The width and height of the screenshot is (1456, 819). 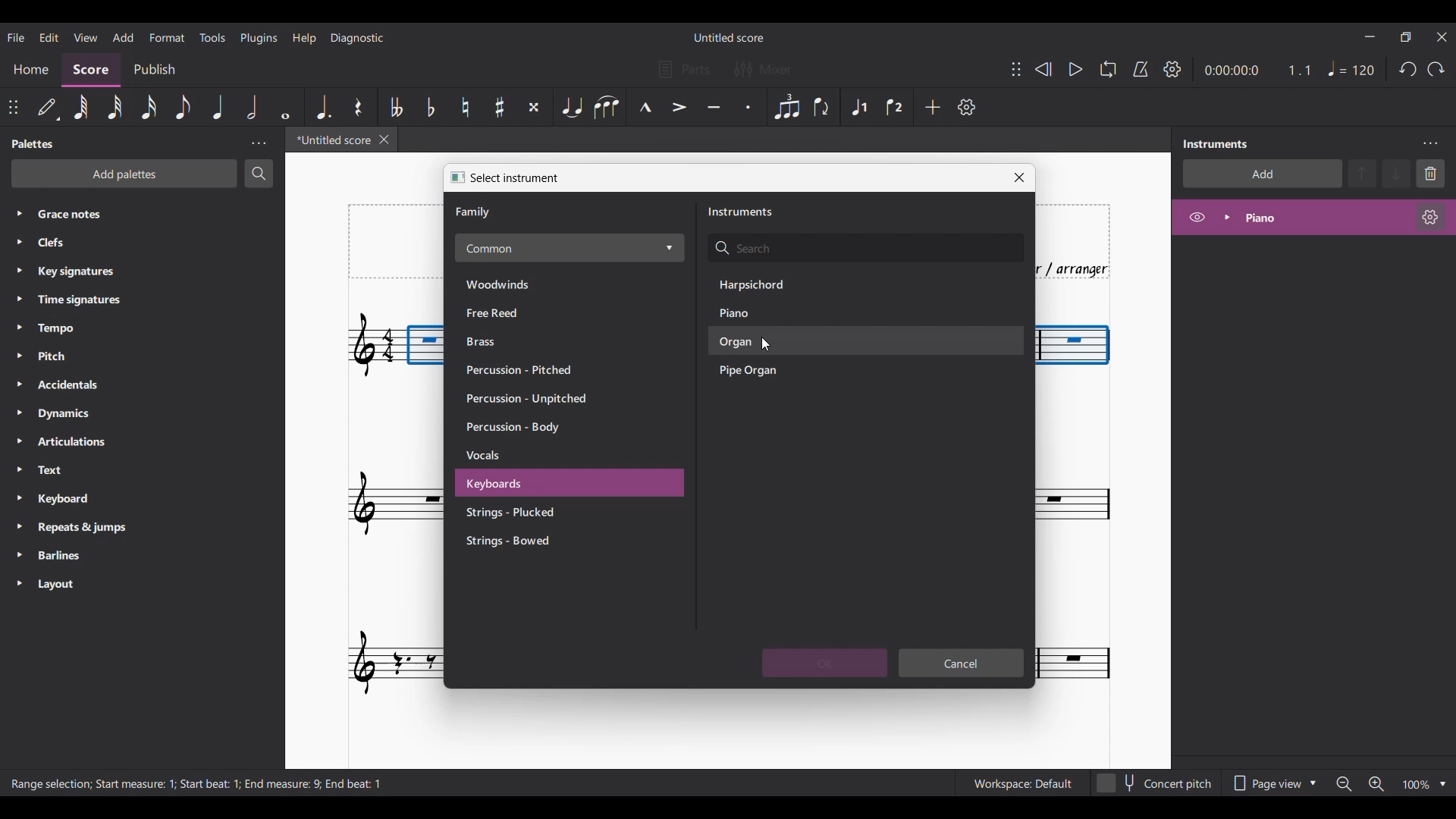 What do you see at coordinates (1156, 783) in the screenshot?
I see `Toggle content pitch` at bounding box center [1156, 783].